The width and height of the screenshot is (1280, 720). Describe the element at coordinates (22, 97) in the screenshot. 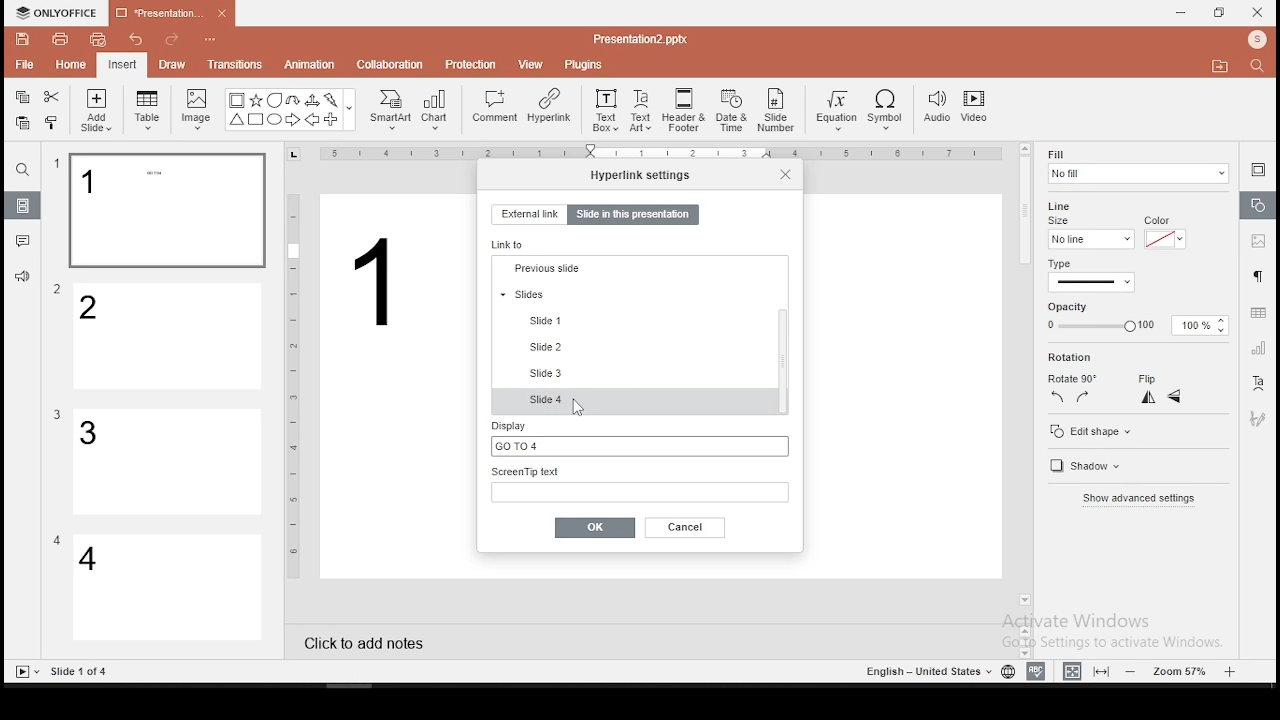

I see `copy` at that location.